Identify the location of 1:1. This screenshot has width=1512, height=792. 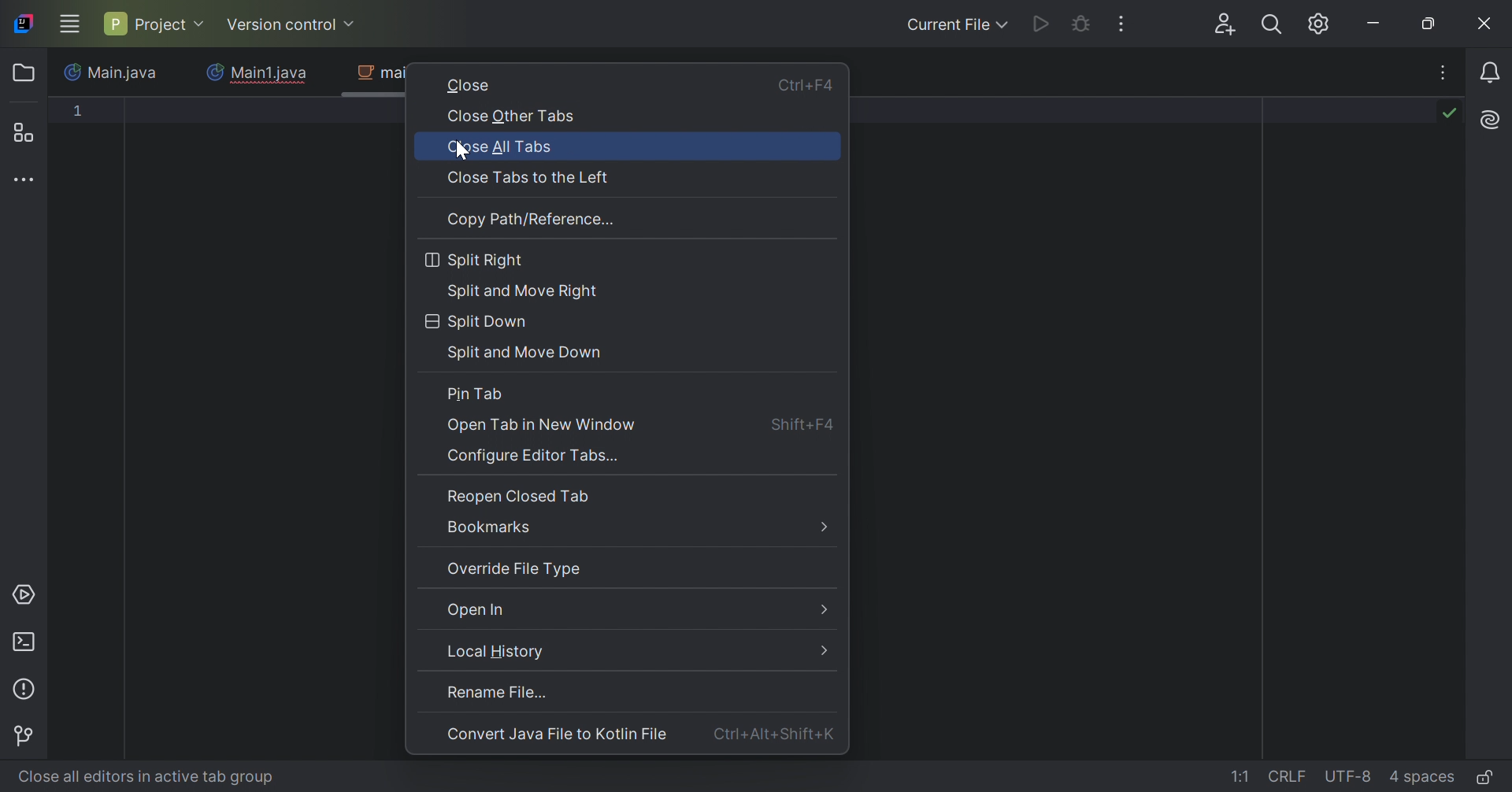
(1242, 778).